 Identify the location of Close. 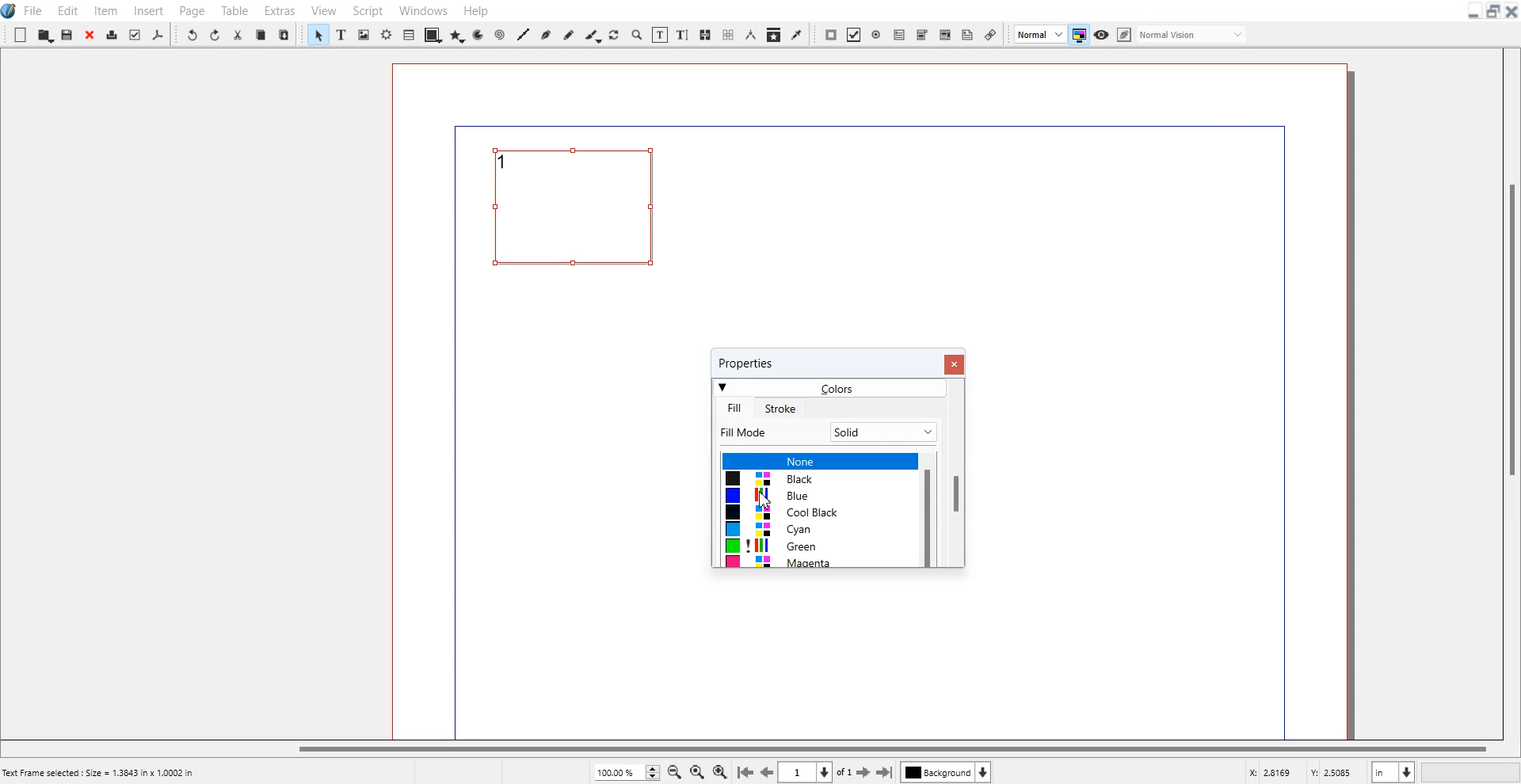
(953, 364).